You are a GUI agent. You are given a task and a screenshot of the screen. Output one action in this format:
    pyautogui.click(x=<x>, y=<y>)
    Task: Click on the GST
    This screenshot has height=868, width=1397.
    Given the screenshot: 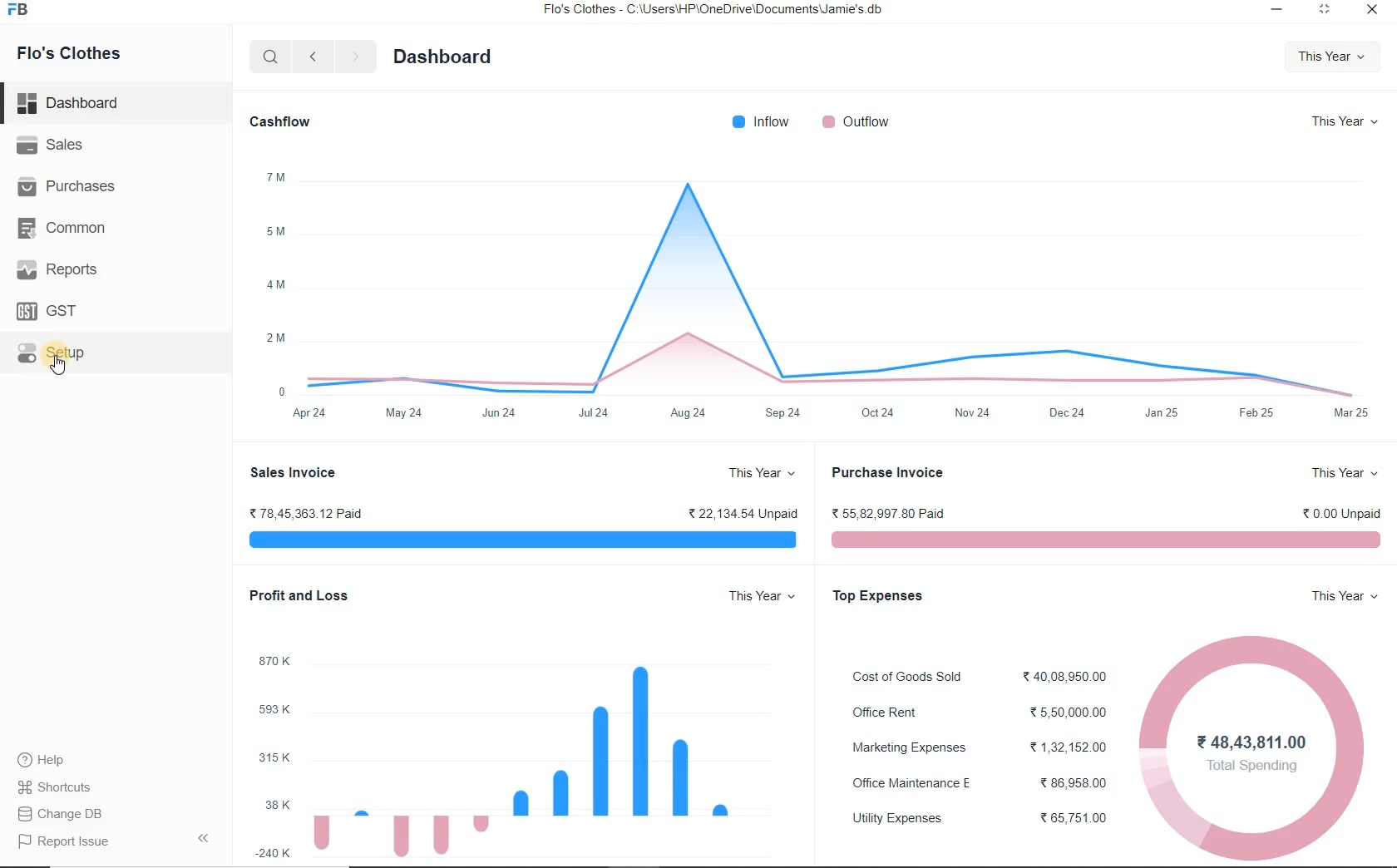 What is the action you would take?
    pyautogui.click(x=48, y=311)
    